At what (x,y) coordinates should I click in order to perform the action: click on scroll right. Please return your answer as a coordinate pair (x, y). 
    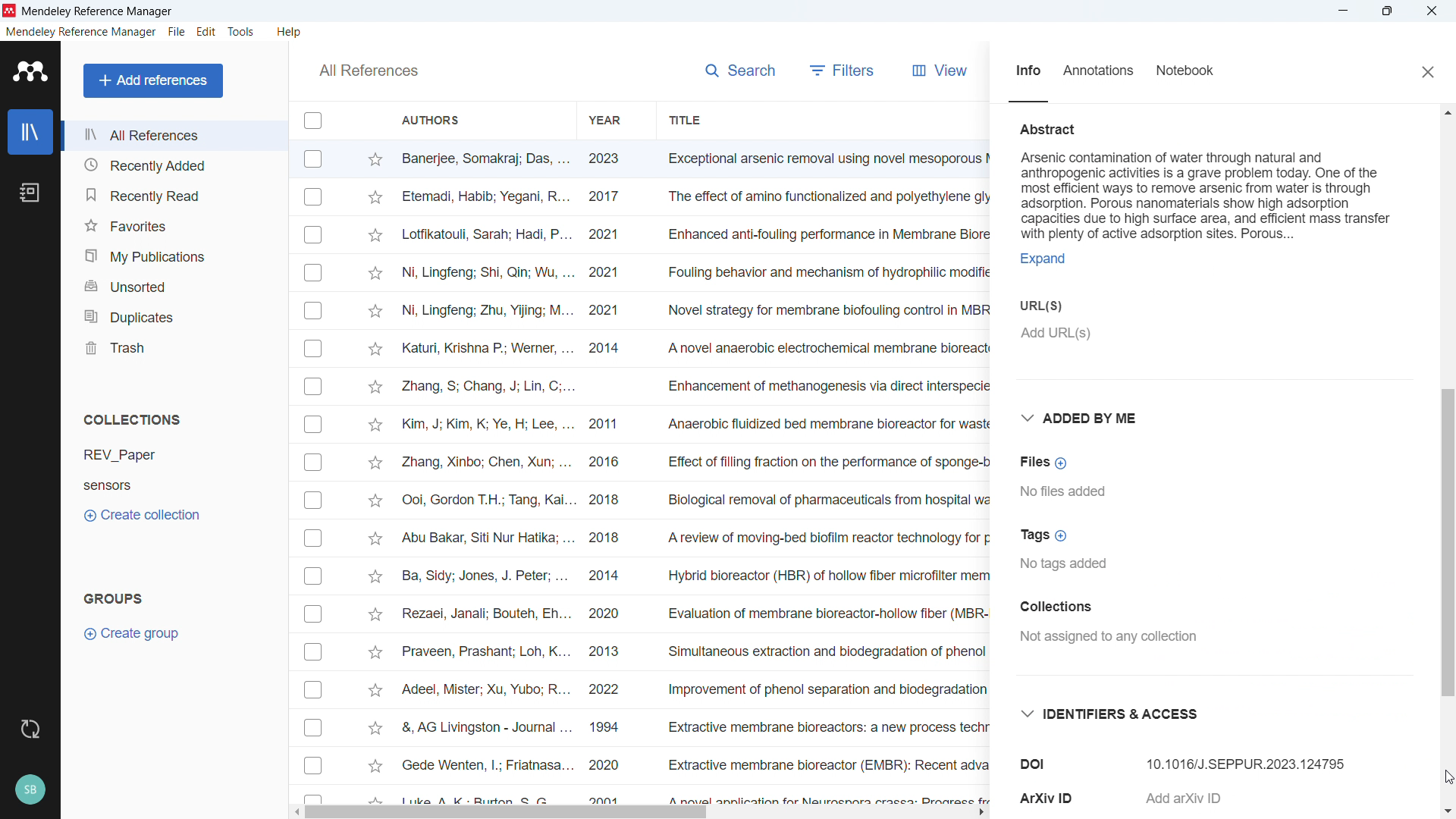
    Looking at the image, I should click on (984, 810).